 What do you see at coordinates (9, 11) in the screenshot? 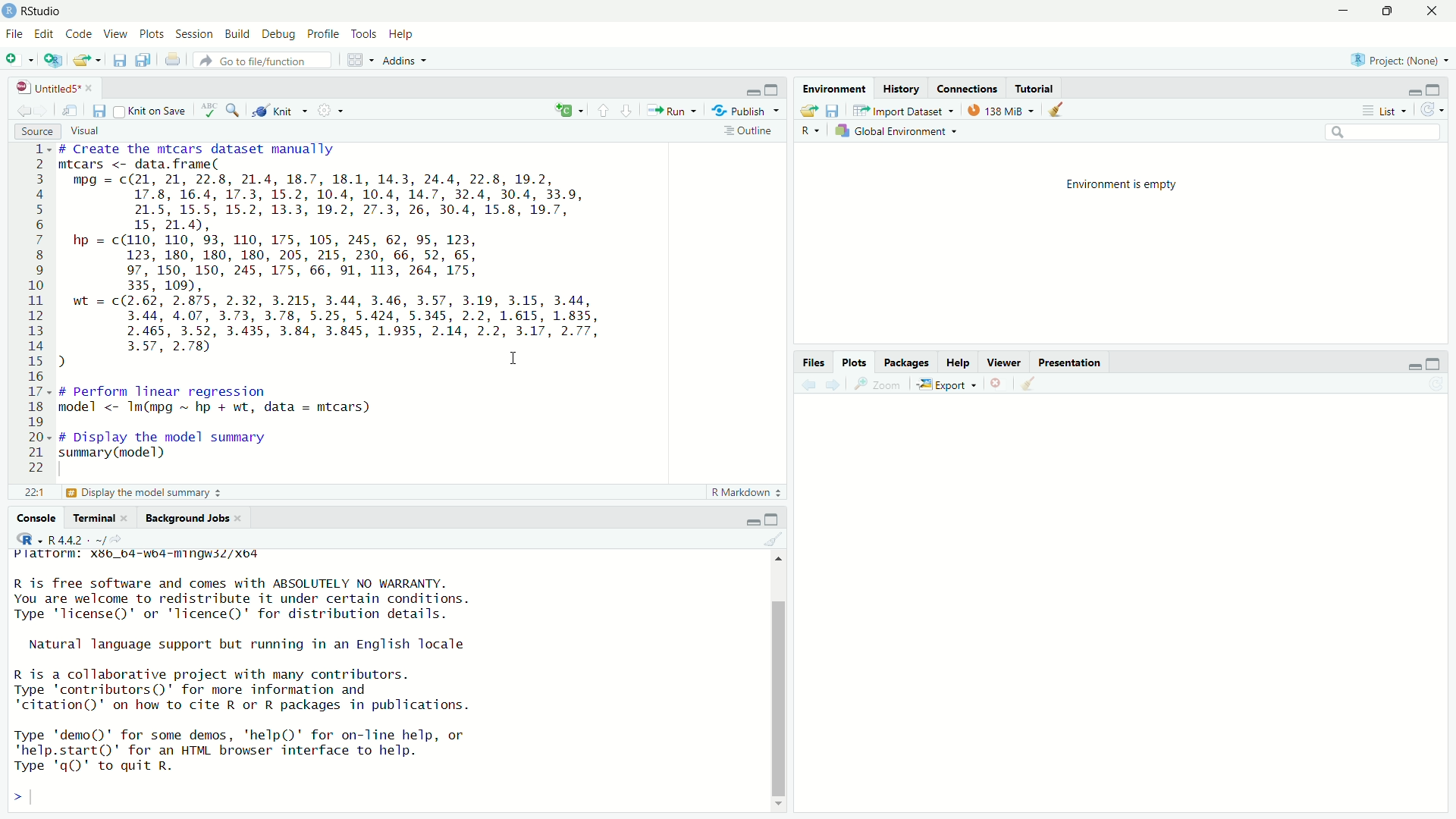
I see `app icon` at bounding box center [9, 11].